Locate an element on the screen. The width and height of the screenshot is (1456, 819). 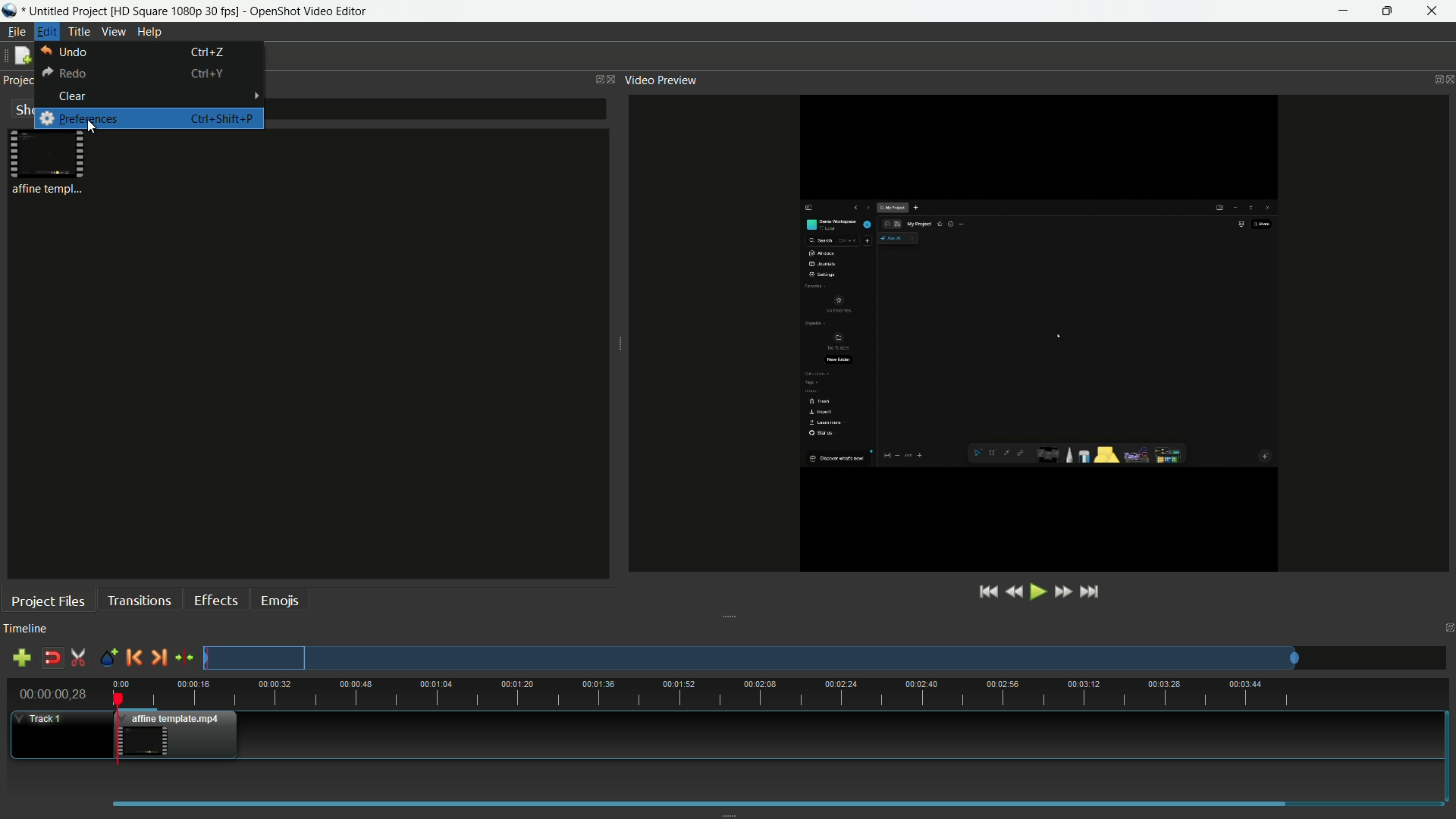
time is located at coordinates (780, 694).